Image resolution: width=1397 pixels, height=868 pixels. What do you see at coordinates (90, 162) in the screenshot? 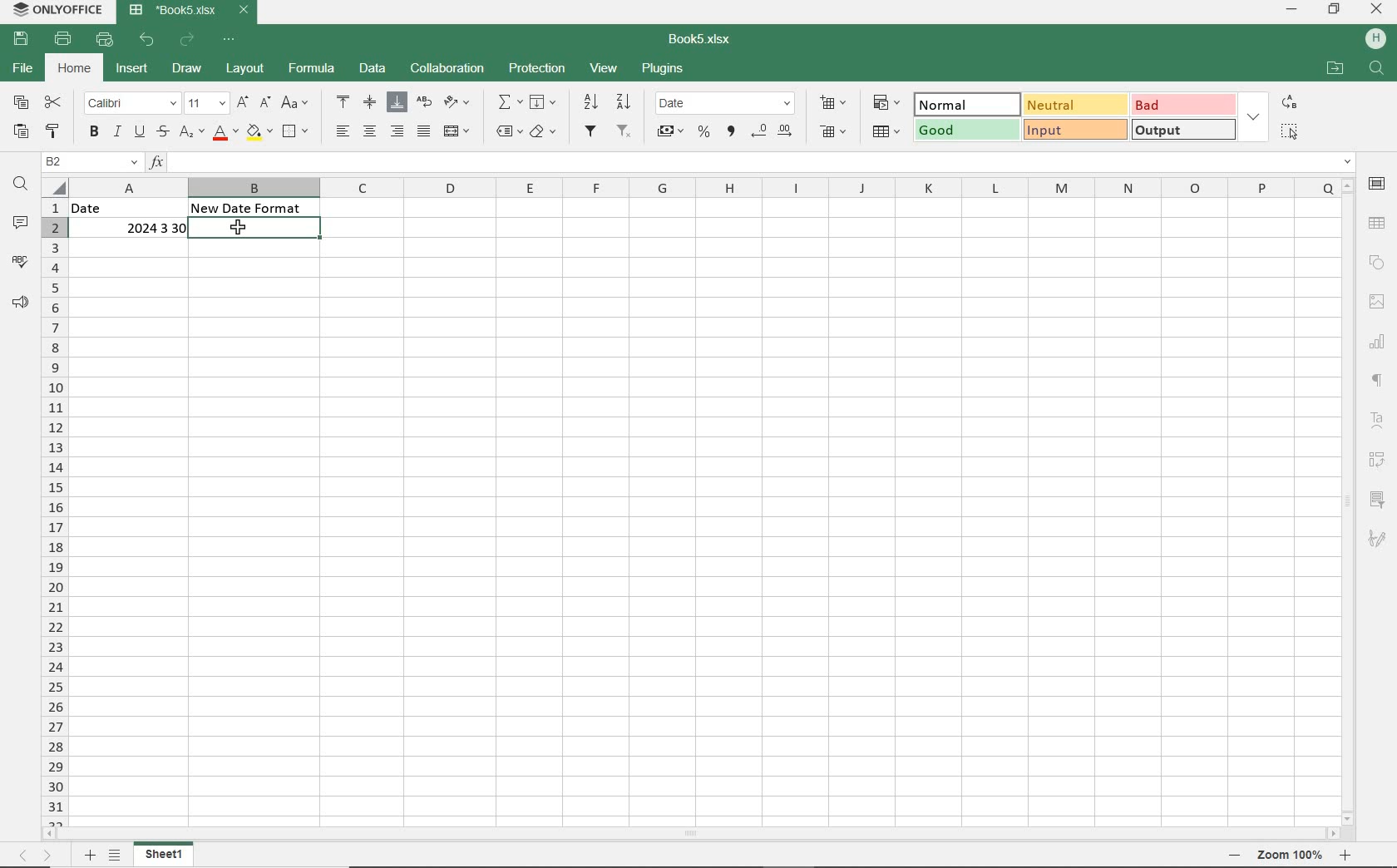
I see `NAMED MANAGER` at bounding box center [90, 162].